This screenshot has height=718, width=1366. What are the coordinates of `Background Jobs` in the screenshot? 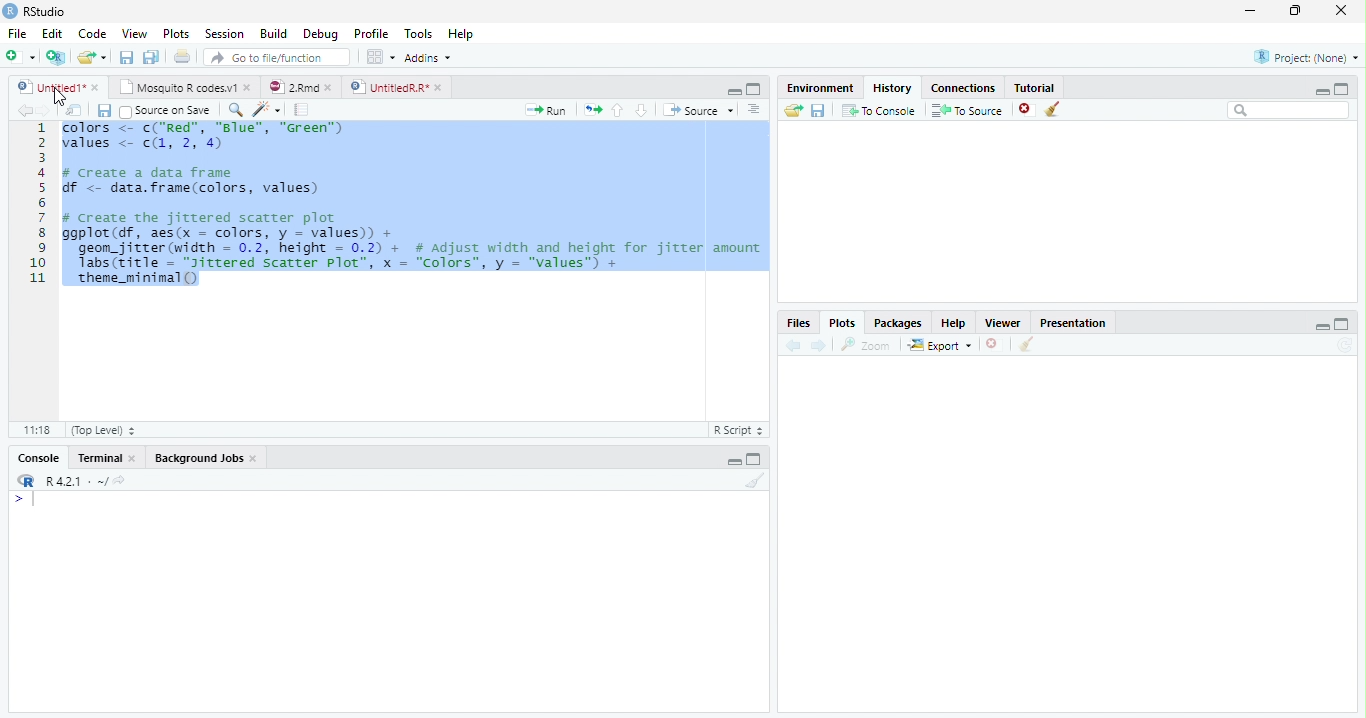 It's located at (198, 457).